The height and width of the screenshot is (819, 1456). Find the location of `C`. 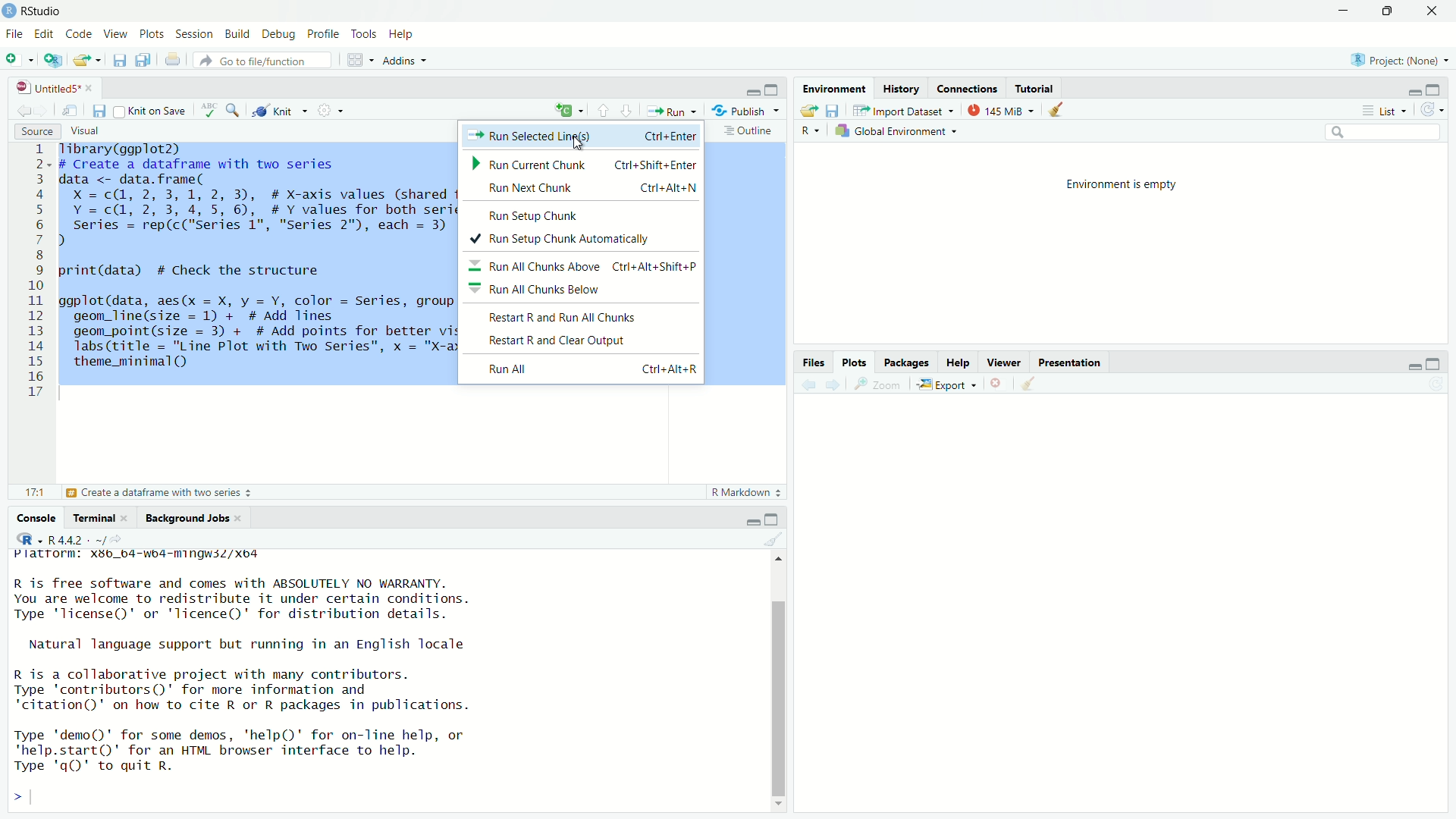

C is located at coordinates (570, 110).